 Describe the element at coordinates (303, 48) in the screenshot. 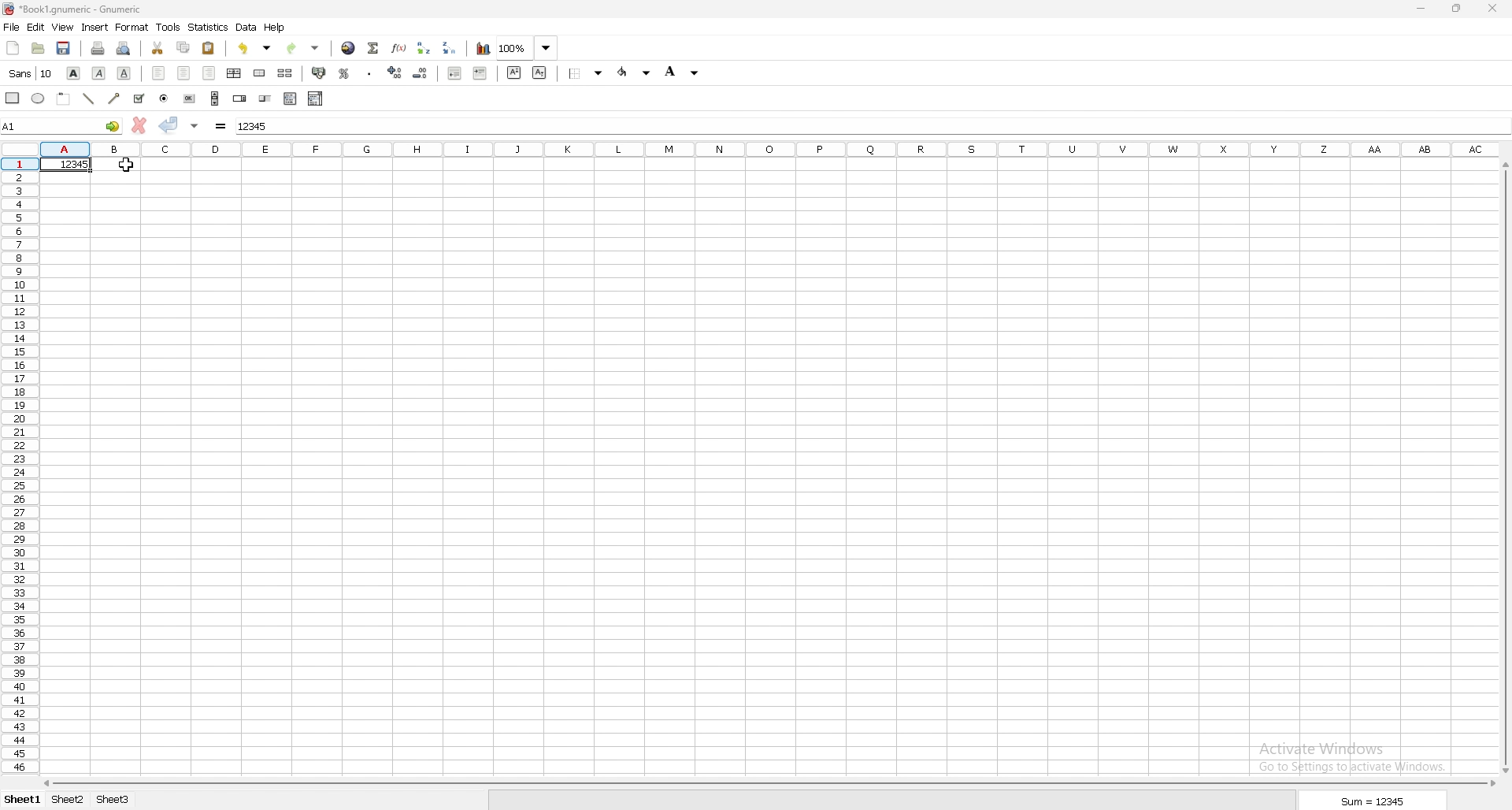

I see `redo` at that location.